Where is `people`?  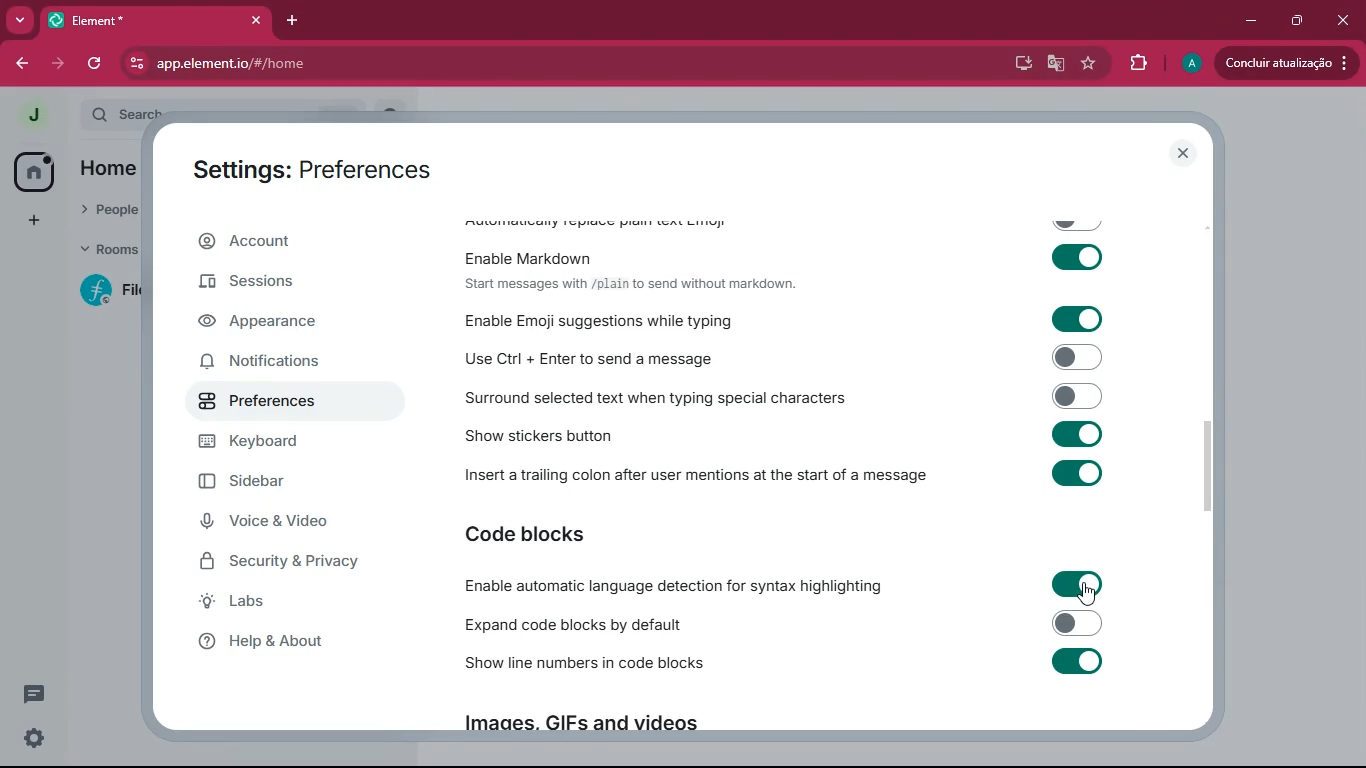 people is located at coordinates (110, 207).